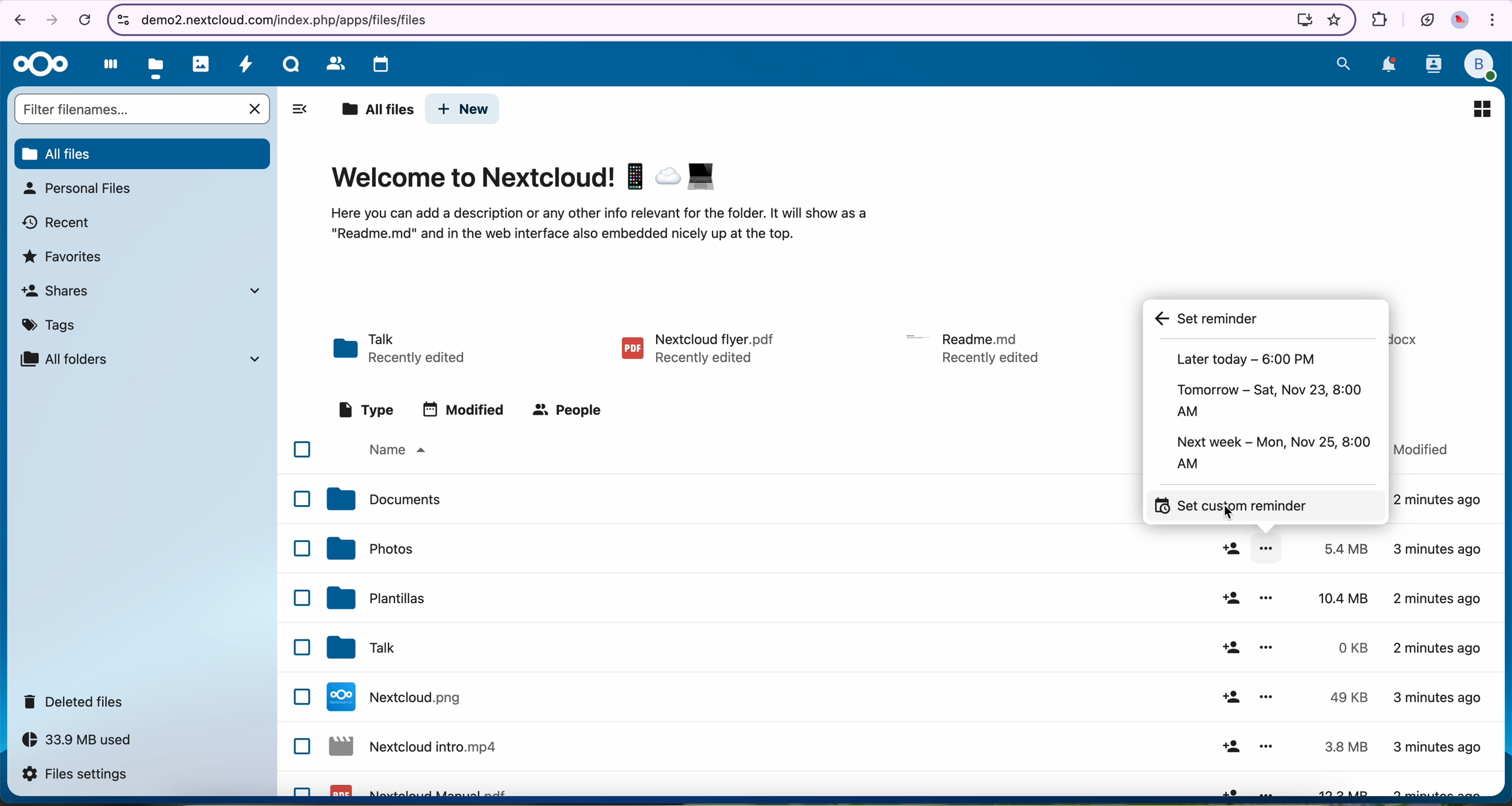 This screenshot has height=806, width=1512. I want to click on notifications, so click(1388, 66).